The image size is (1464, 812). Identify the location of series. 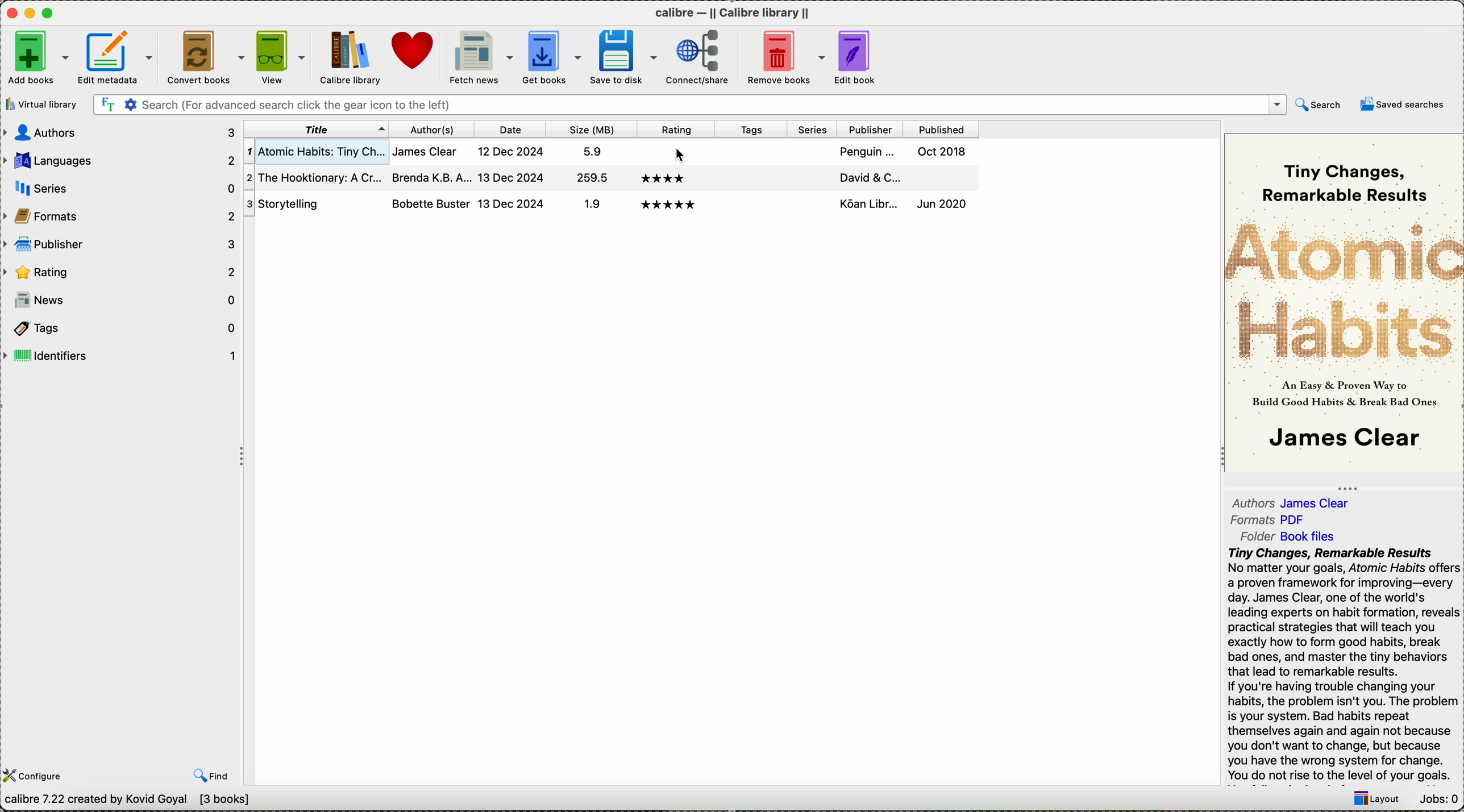
(811, 206).